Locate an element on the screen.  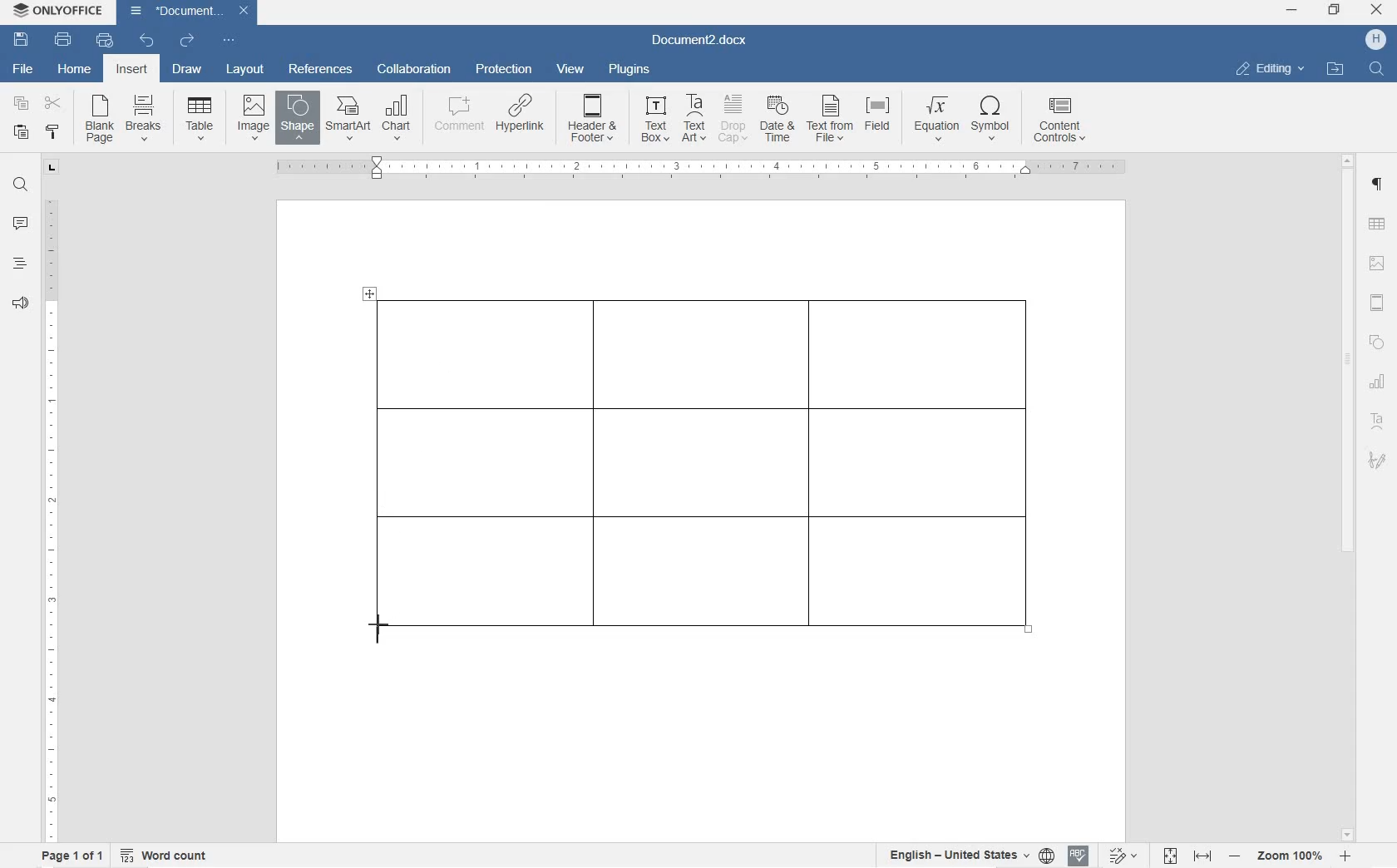
FIND is located at coordinates (1378, 68).